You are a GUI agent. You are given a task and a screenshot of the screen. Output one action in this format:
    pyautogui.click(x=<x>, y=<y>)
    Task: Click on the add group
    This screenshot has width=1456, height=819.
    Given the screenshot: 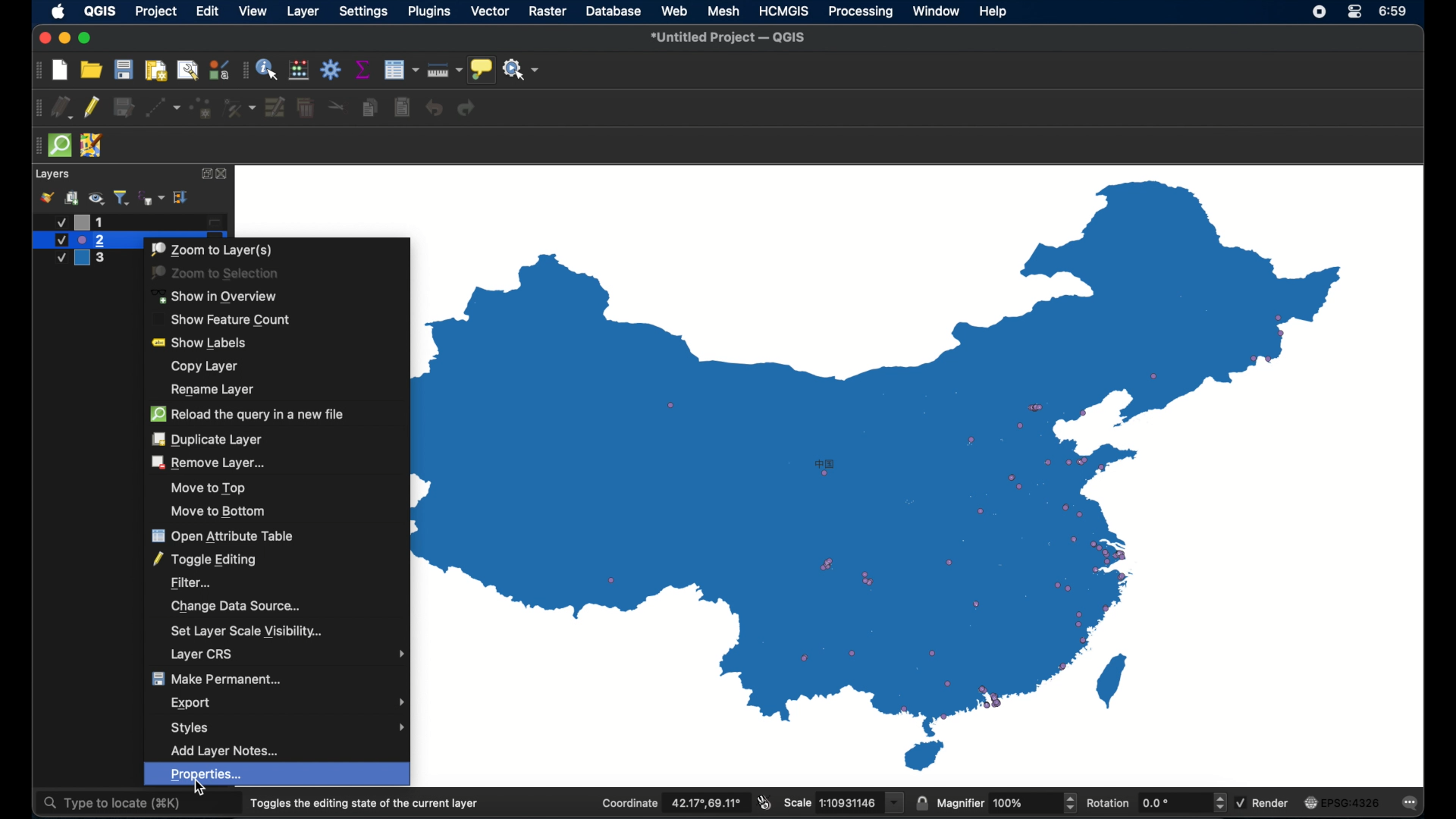 What is the action you would take?
    pyautogui.click(x=73, y=197)
    